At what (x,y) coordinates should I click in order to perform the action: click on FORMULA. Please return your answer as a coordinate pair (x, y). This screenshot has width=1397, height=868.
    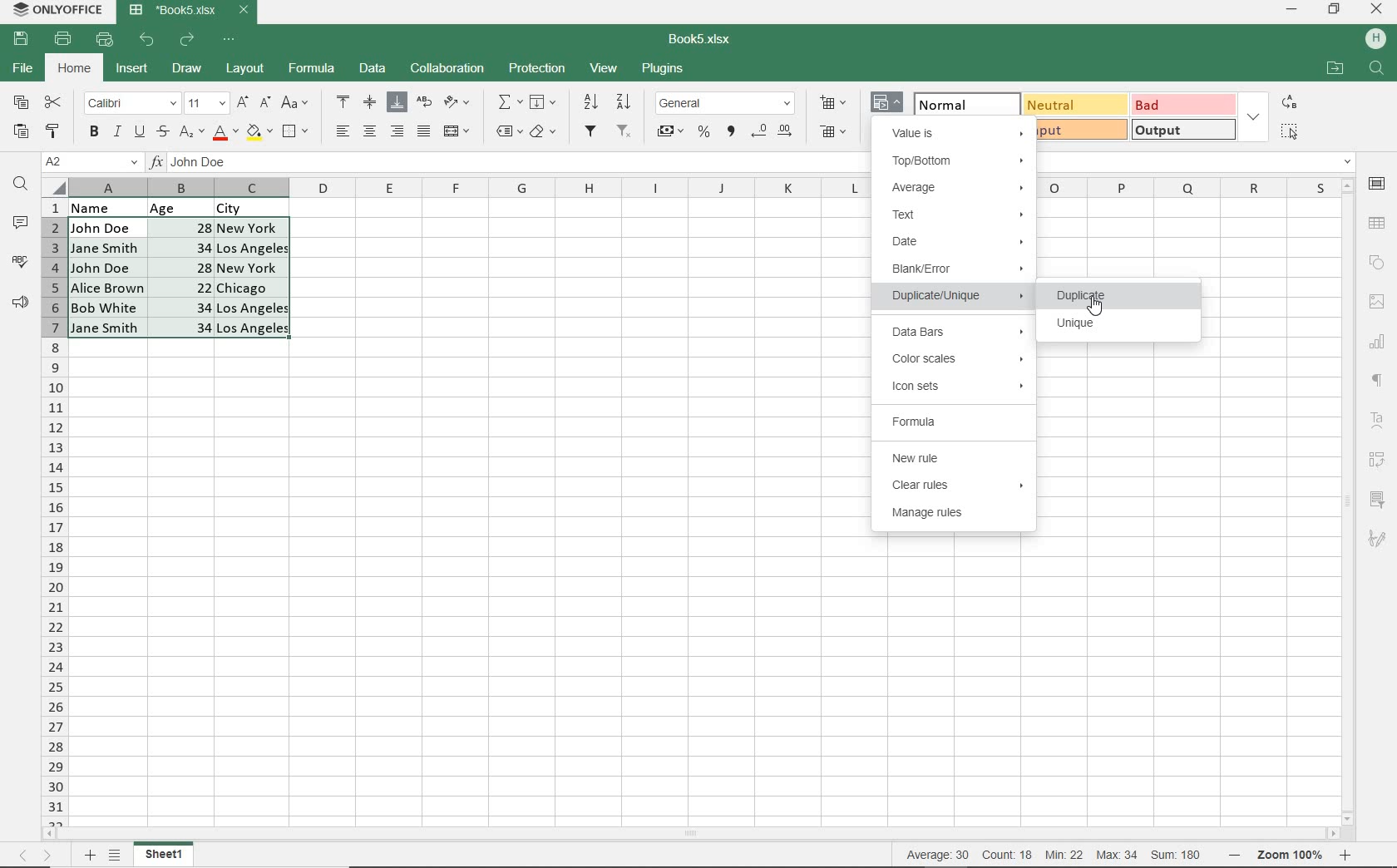
    Looking at the image, I should click on (950, 422).